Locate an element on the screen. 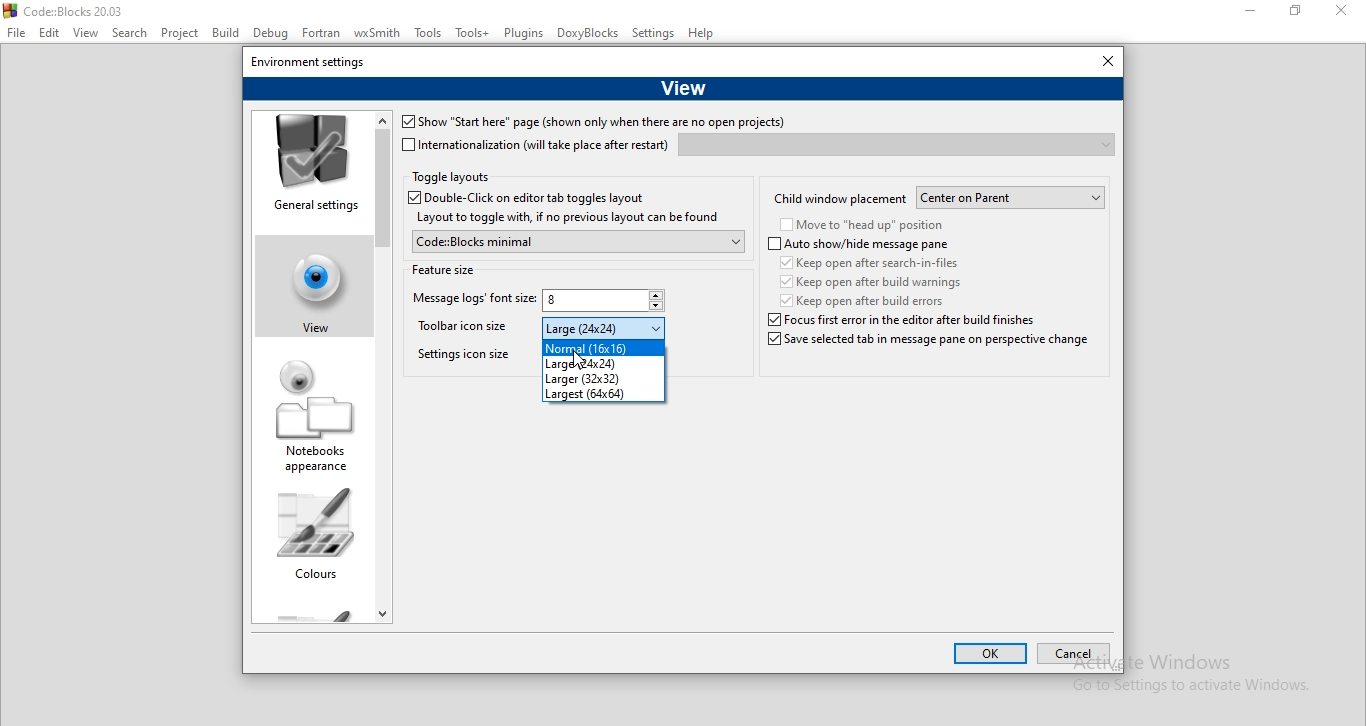 This screenshot has width=1366, height=726. ok is located at coordinates (991, 655).